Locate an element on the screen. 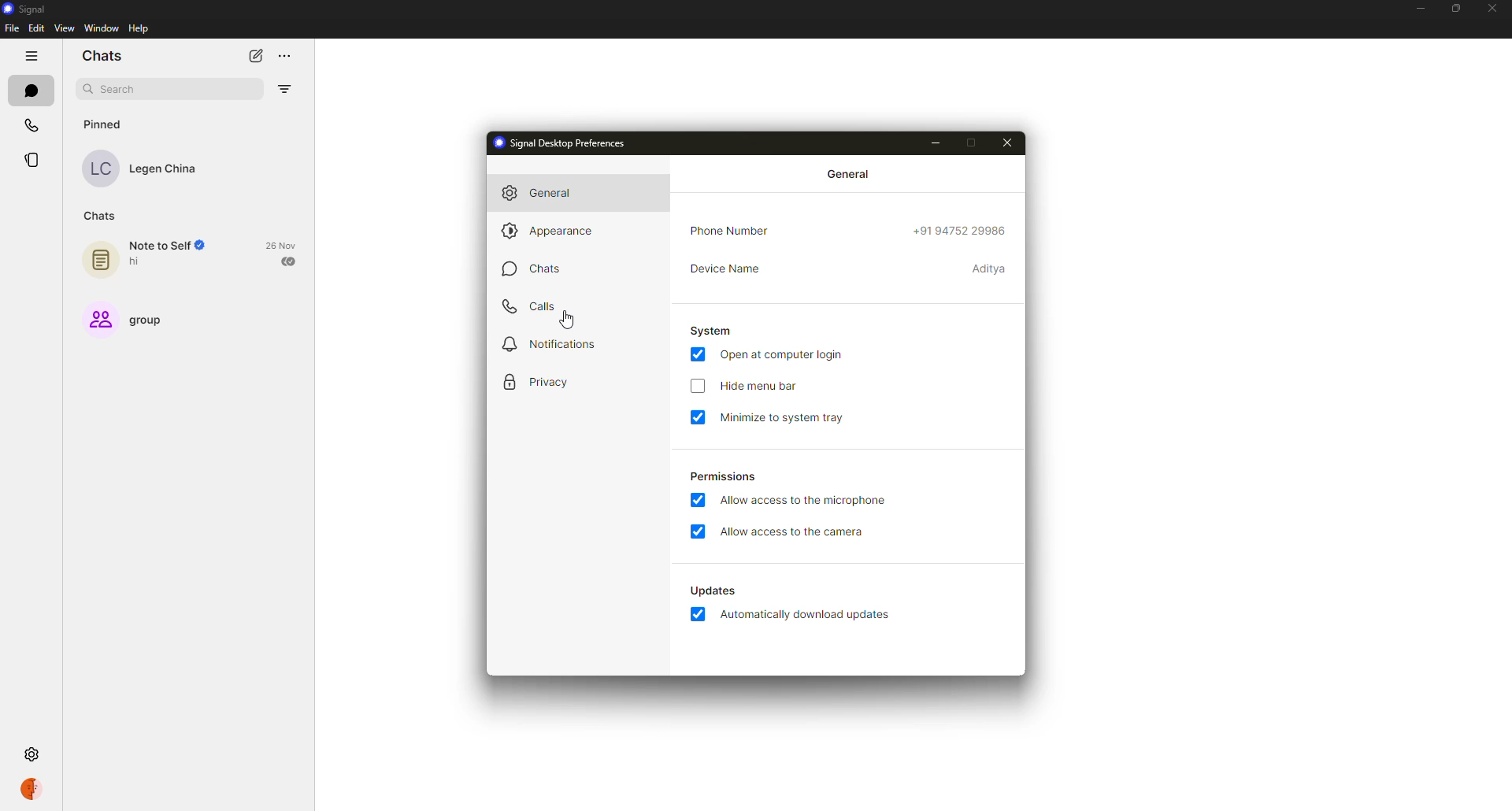 The width and height of the screenshot is (1512, 811). LC is located at coordinates (105, 170).